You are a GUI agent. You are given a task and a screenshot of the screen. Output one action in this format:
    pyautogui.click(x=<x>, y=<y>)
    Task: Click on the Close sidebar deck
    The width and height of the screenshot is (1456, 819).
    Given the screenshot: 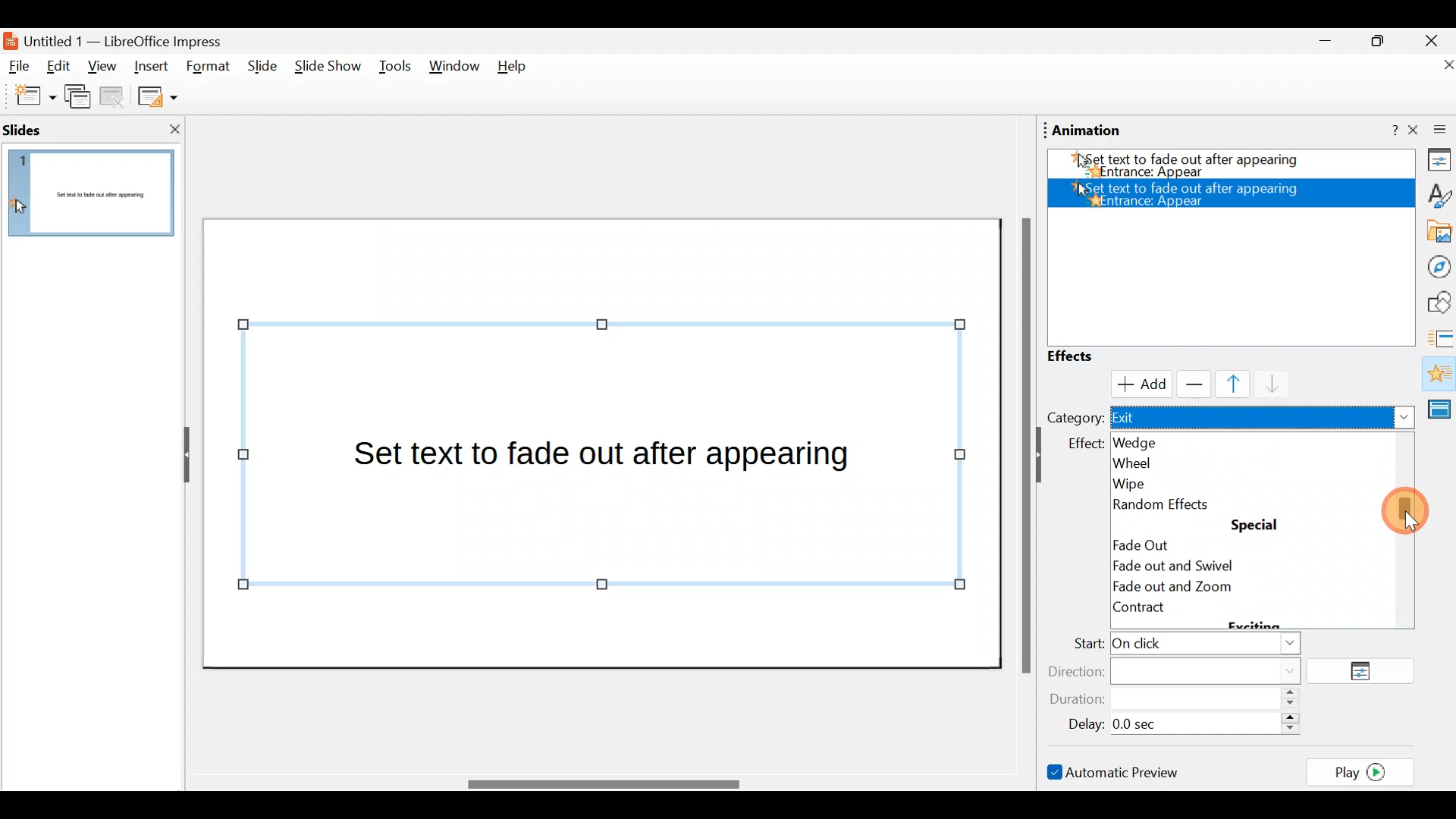 What is the action you would take?
    pyautogui.click(x=1433, y=130)
    